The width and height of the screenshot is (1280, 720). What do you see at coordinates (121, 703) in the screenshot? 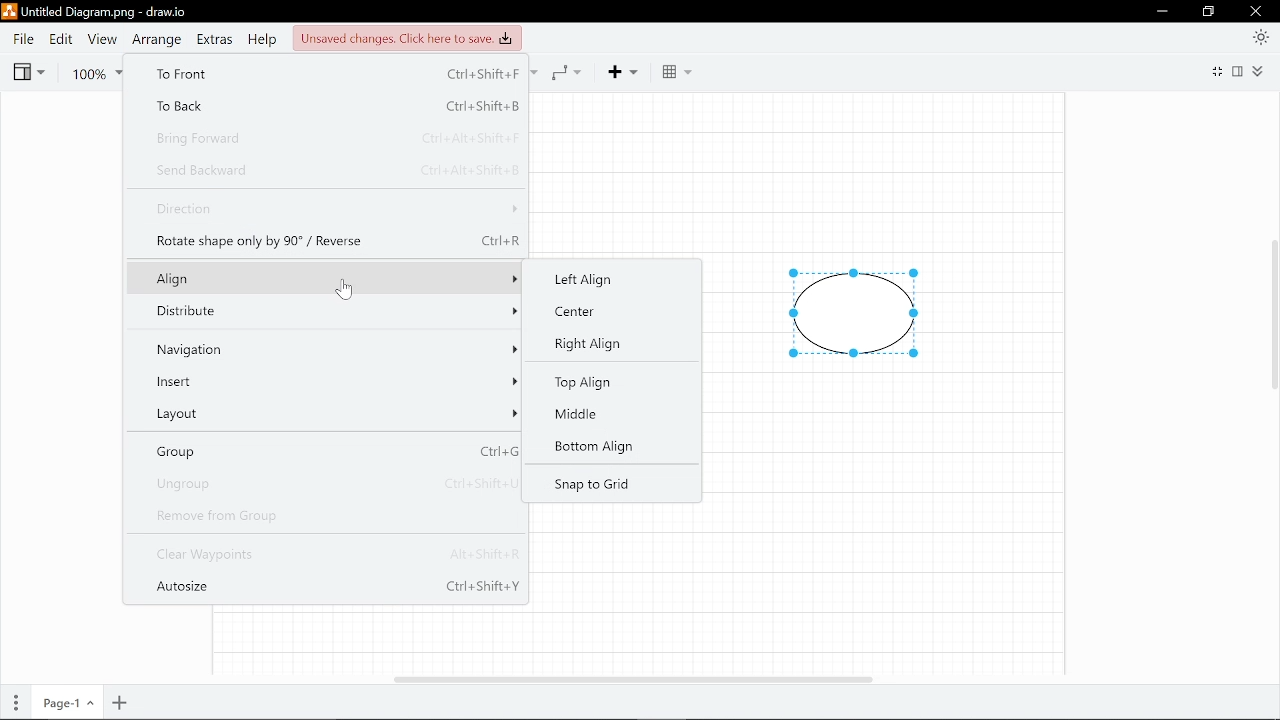
I see `Add page` at bounding box center [121, 703].